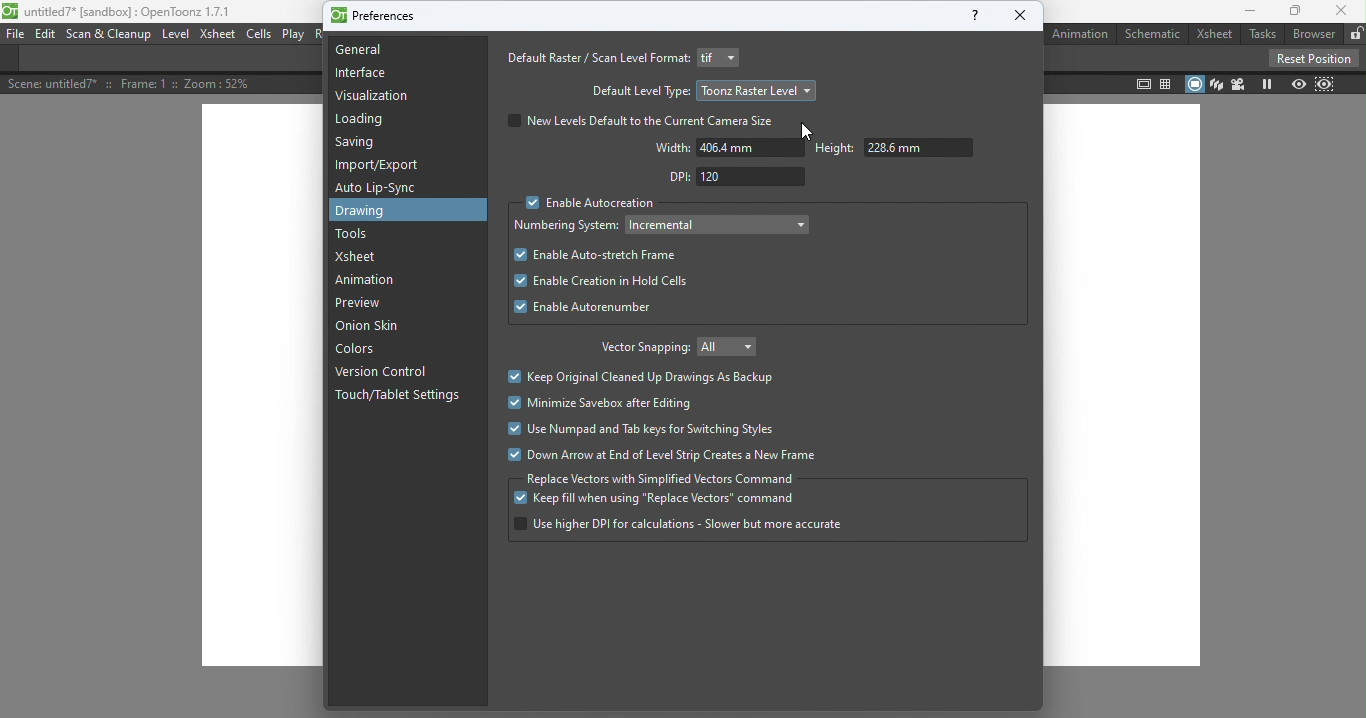  I want to click on Saving, so click(358, 144).